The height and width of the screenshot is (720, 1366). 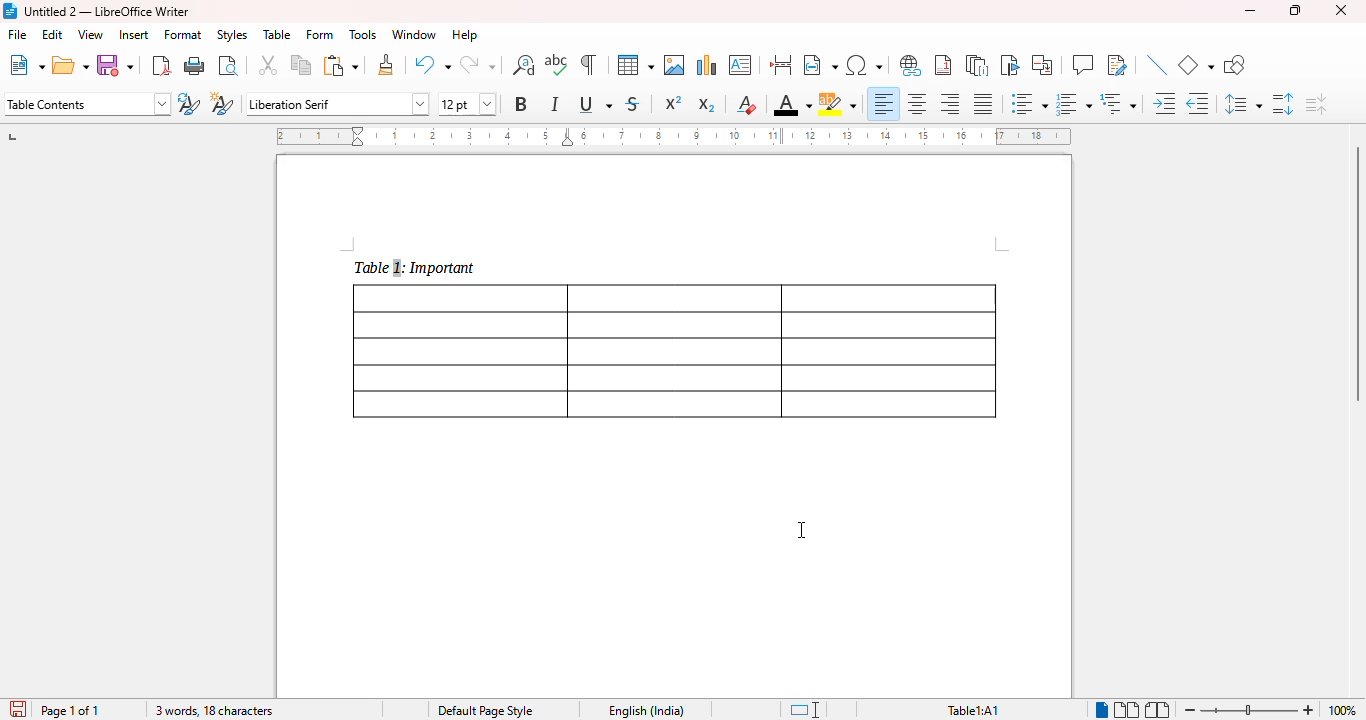 I want to click on form, so click(x=319, y=34).